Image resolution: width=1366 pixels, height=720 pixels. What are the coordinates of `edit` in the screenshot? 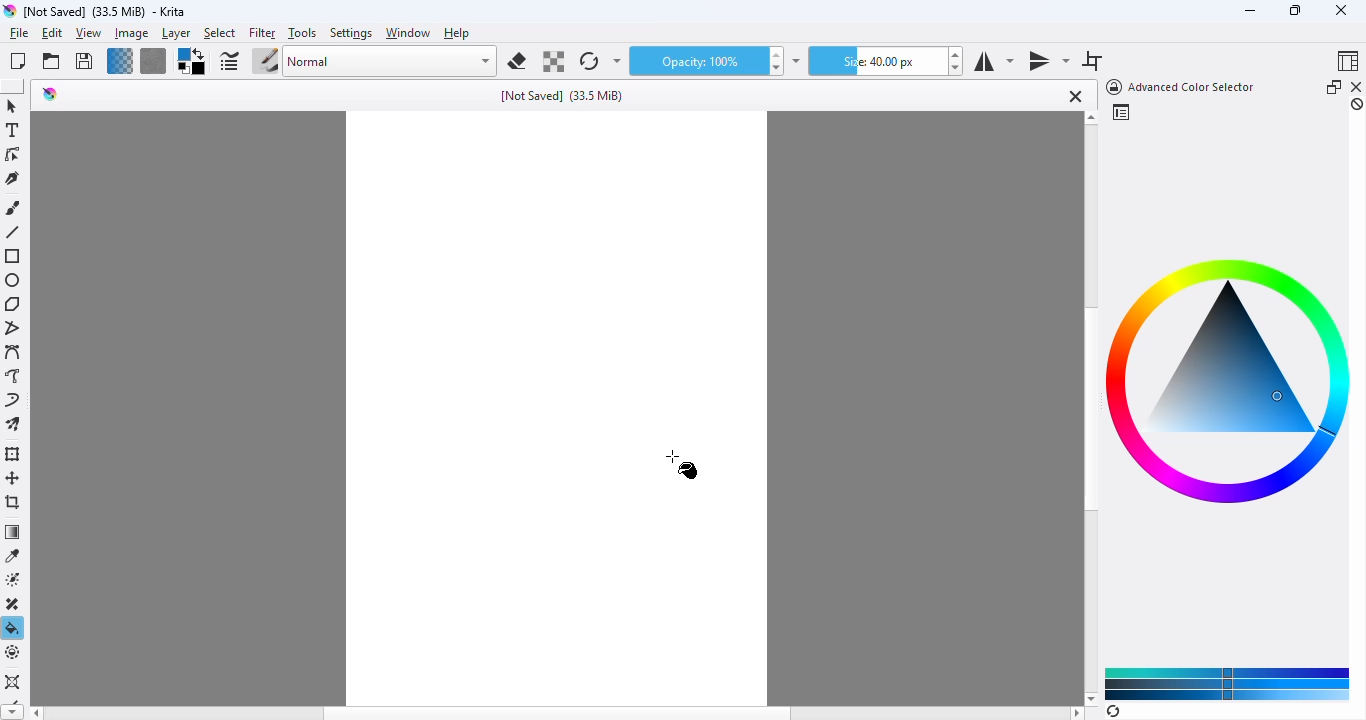 It's located at (51, 33).